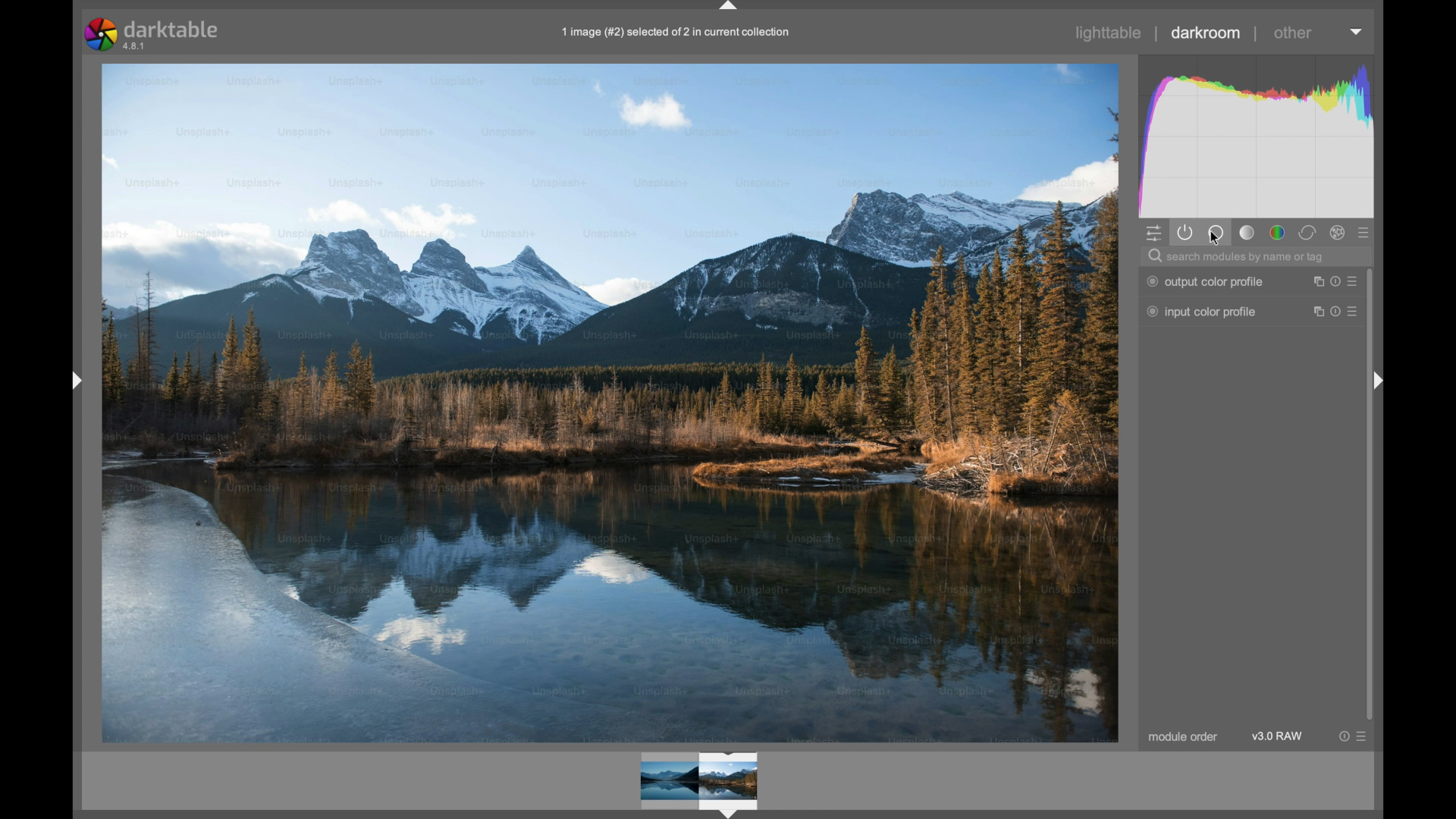 The height and width of the screenshot is (819, 1456). I want to click on instance, so click(1315, 281).